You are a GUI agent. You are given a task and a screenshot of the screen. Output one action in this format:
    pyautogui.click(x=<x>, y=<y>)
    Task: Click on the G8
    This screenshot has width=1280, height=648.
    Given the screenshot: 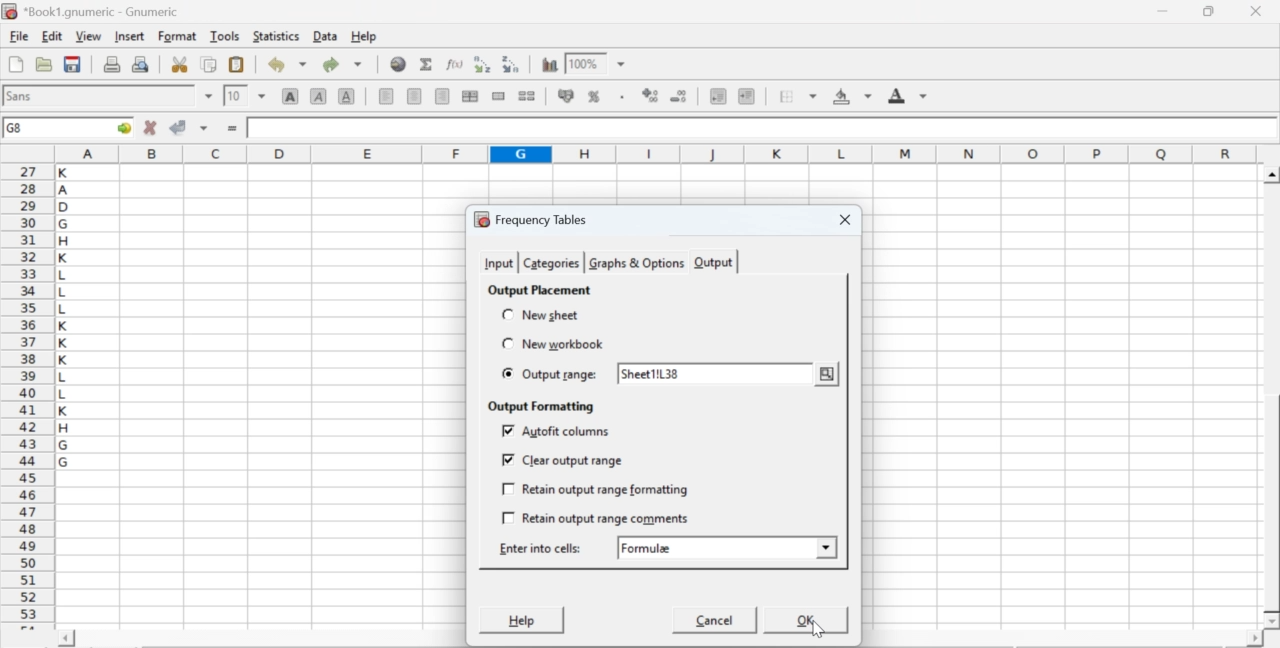 What is the action you would take?
    pyautogui.click(x=17, y=128)
    